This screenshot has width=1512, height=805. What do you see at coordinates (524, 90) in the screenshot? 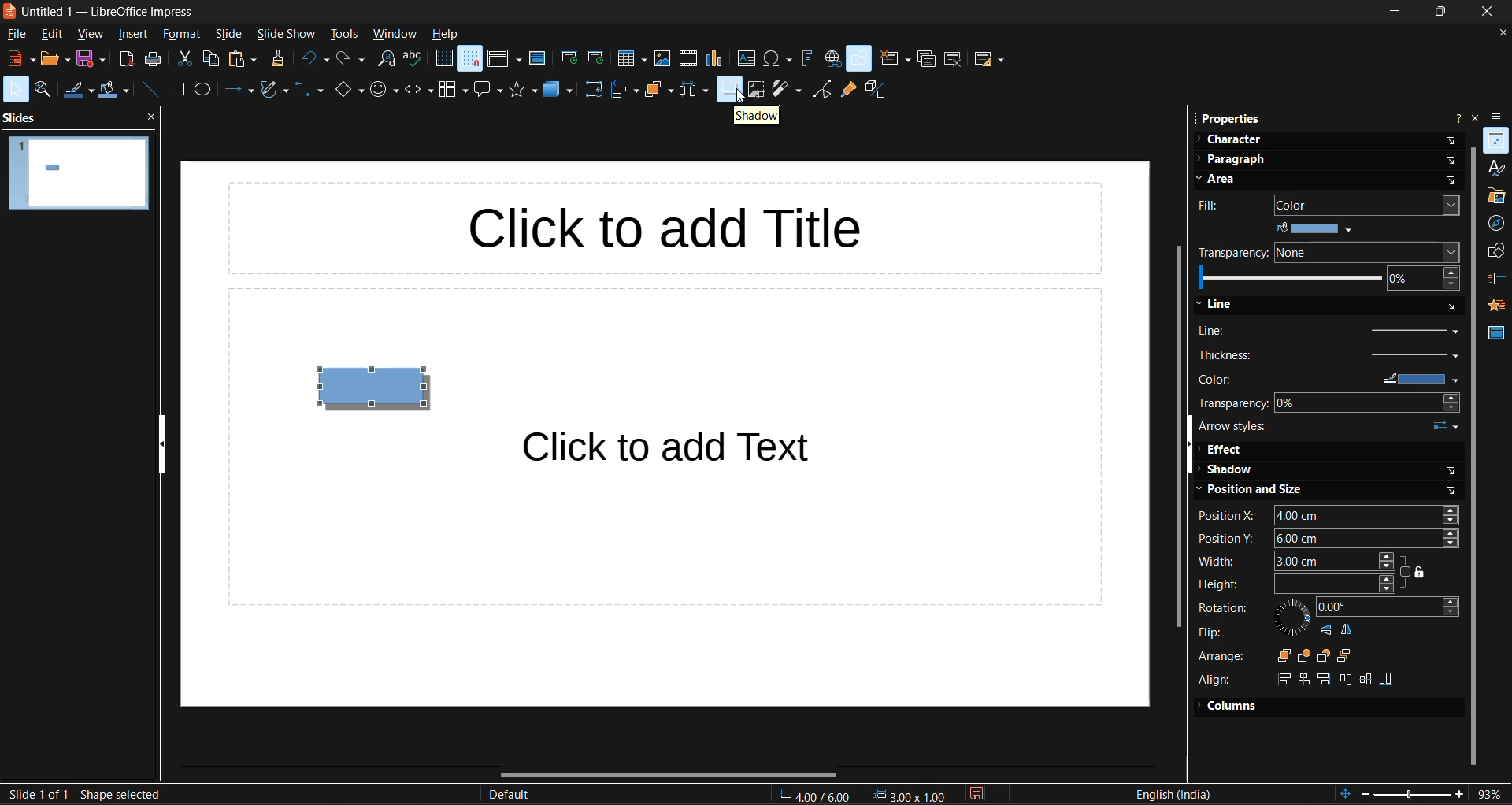
I see `stars and banners` at bounding box center [524, 90].